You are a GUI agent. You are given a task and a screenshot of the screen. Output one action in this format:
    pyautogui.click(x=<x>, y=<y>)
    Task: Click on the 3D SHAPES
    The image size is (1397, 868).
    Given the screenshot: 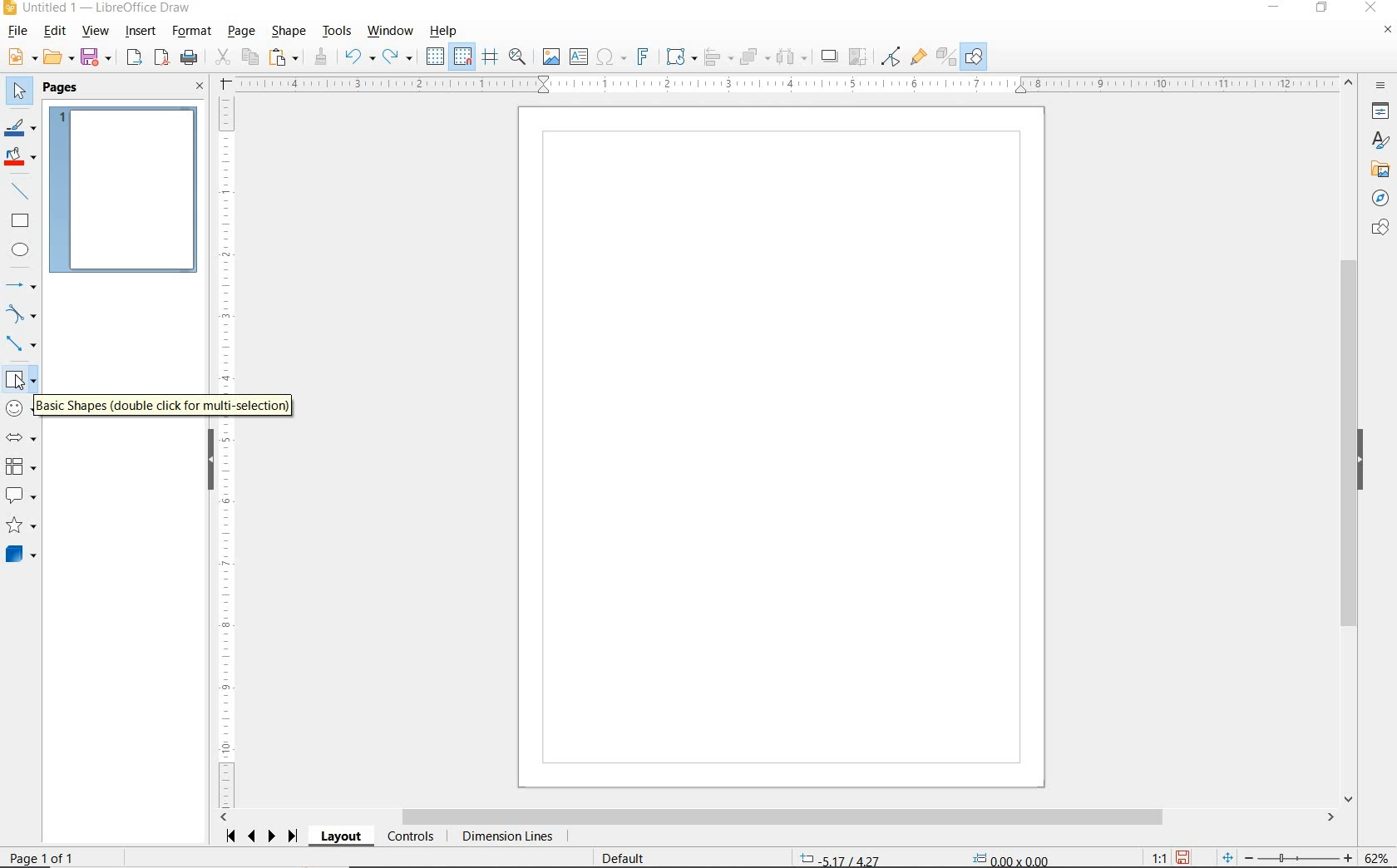 What is the action you would take?
    pyautogui.click(x=21, y=555)
    